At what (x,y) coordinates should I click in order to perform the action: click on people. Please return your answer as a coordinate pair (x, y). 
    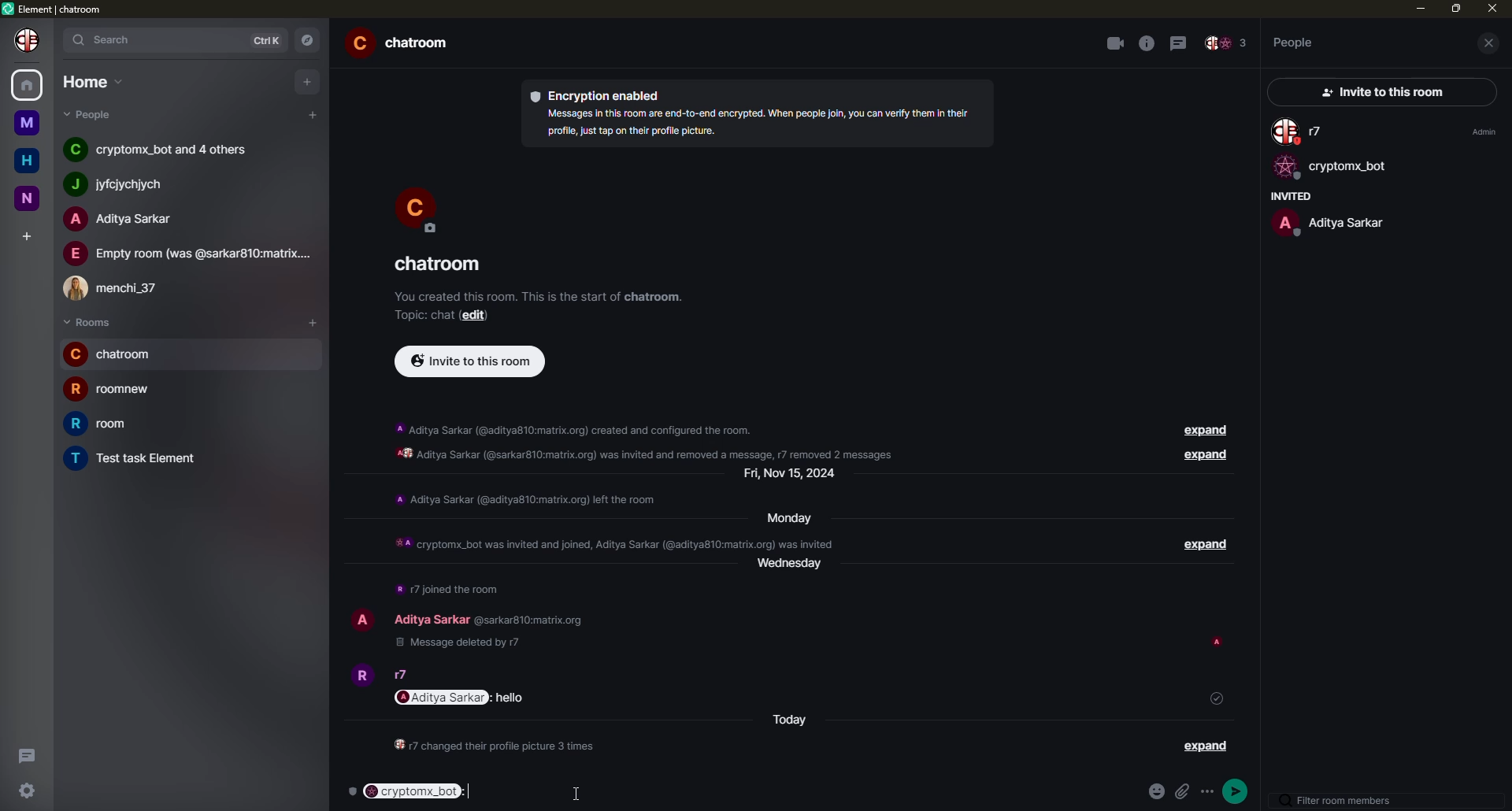
    Looking at the image, I should click on (431, 619).